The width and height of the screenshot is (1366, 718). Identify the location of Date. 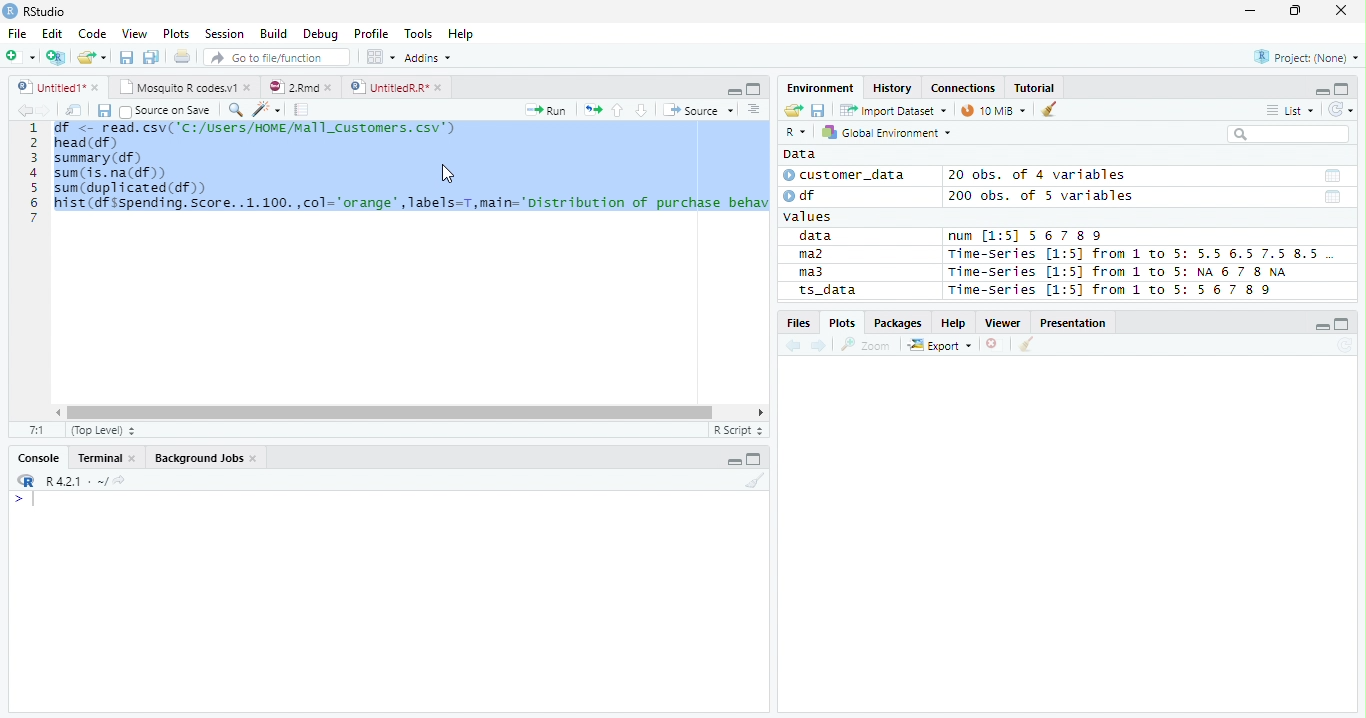
(1333, 198).